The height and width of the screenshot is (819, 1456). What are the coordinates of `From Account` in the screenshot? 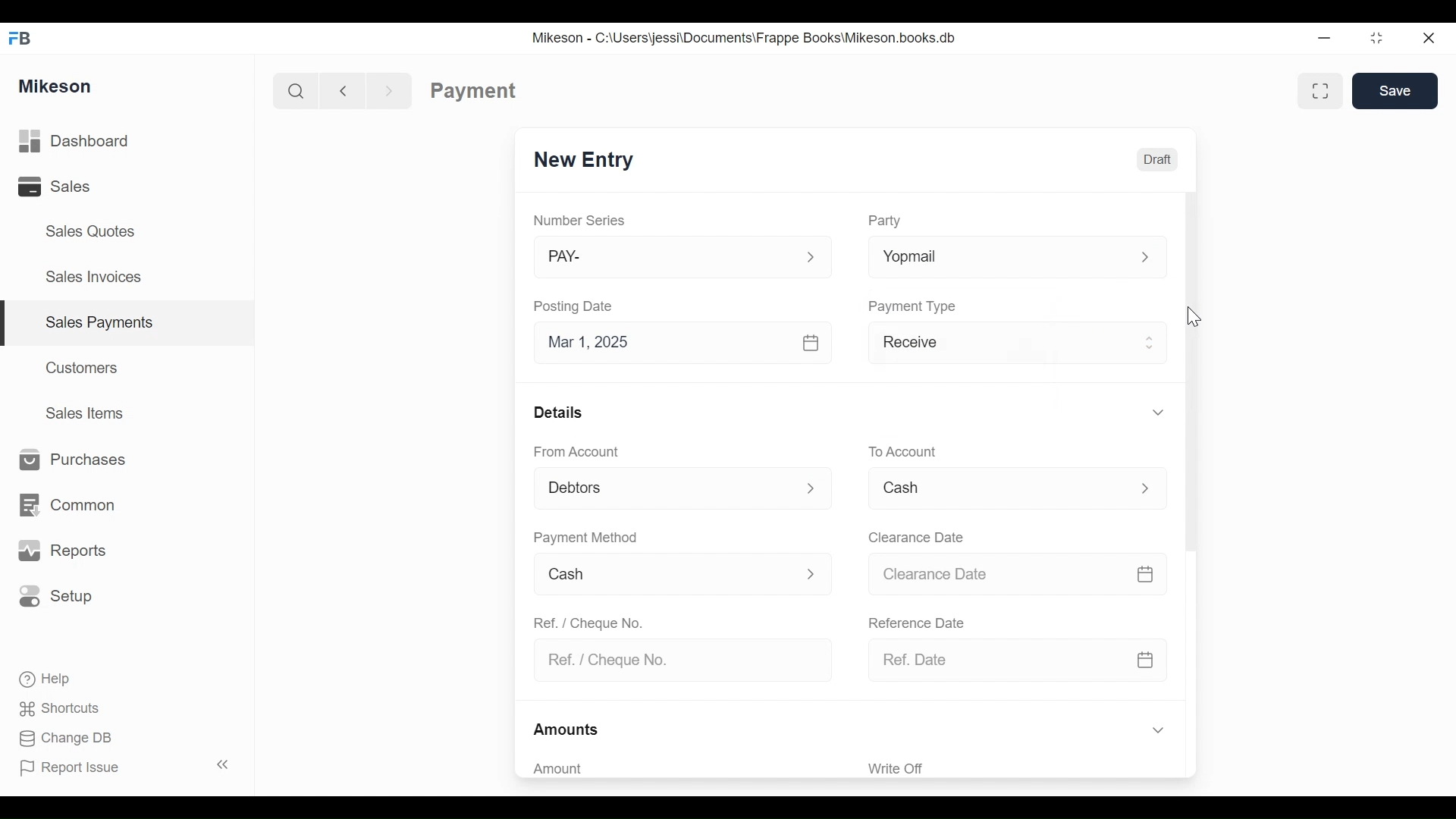 It's located at (685, 489).